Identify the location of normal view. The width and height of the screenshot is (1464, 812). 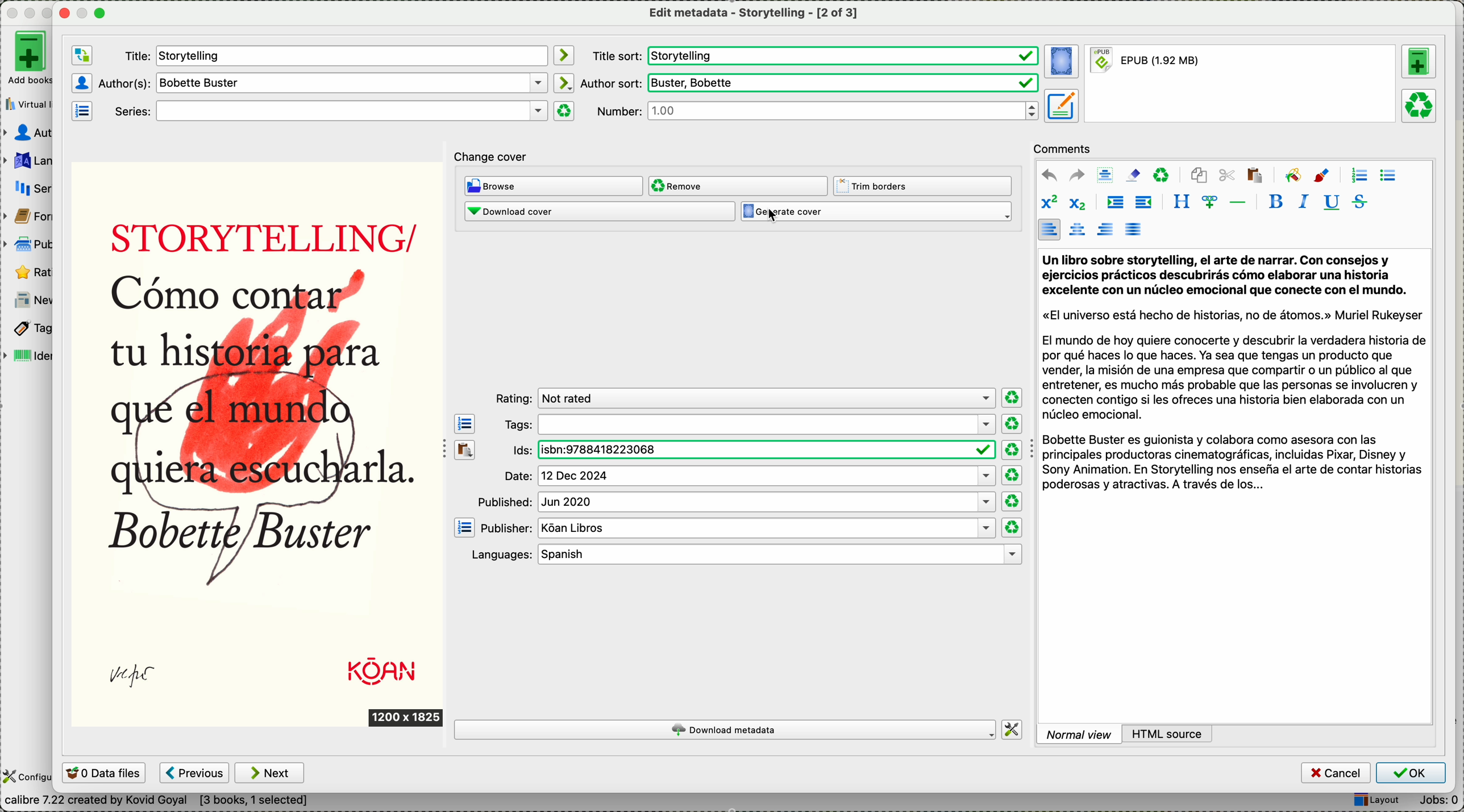
(1080, 734).